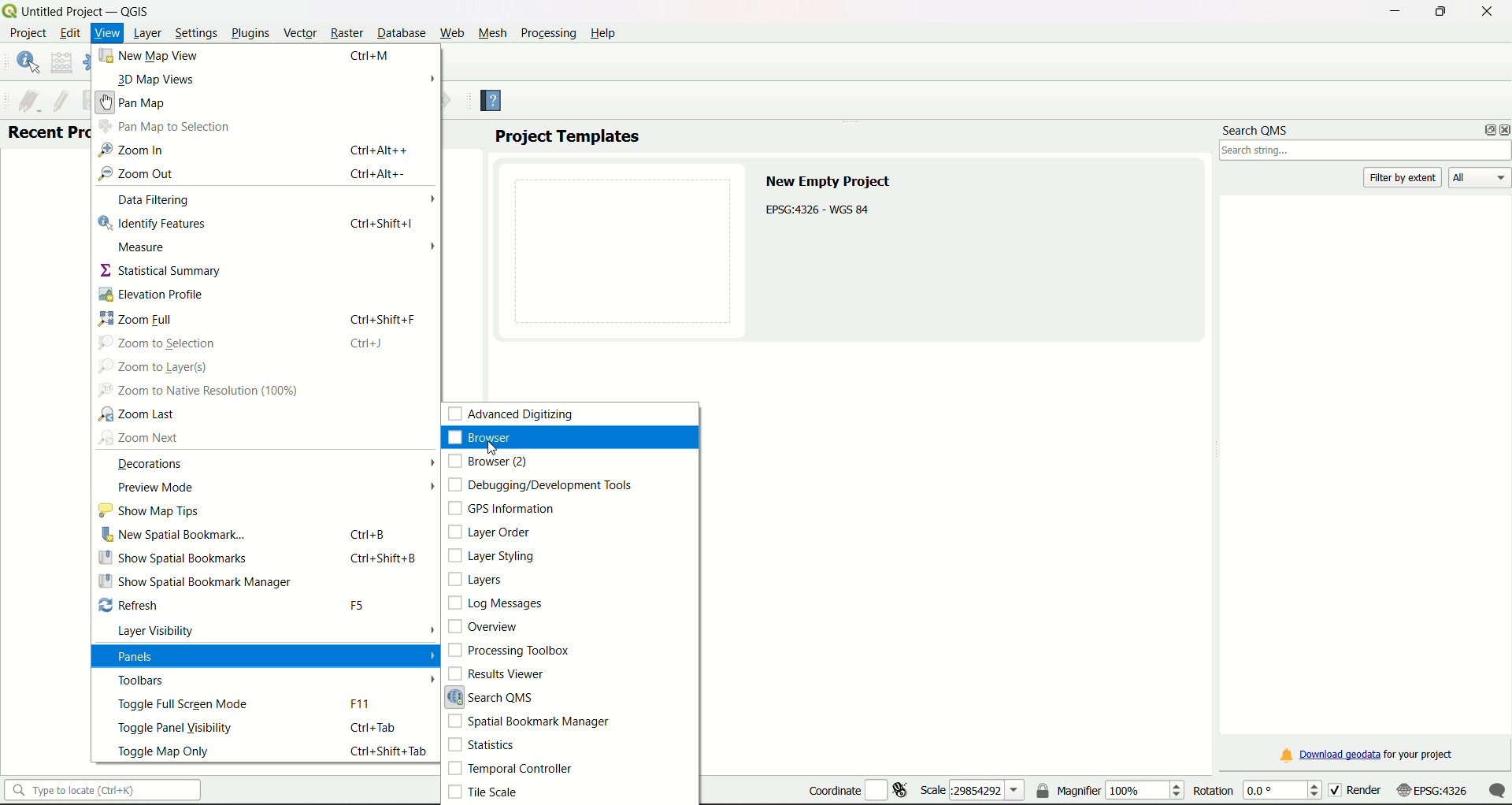 The image size is (1512, 805). Describe the element at coordinates (366, 344) in the screenshot. I see `Ctrl+J` at that location.